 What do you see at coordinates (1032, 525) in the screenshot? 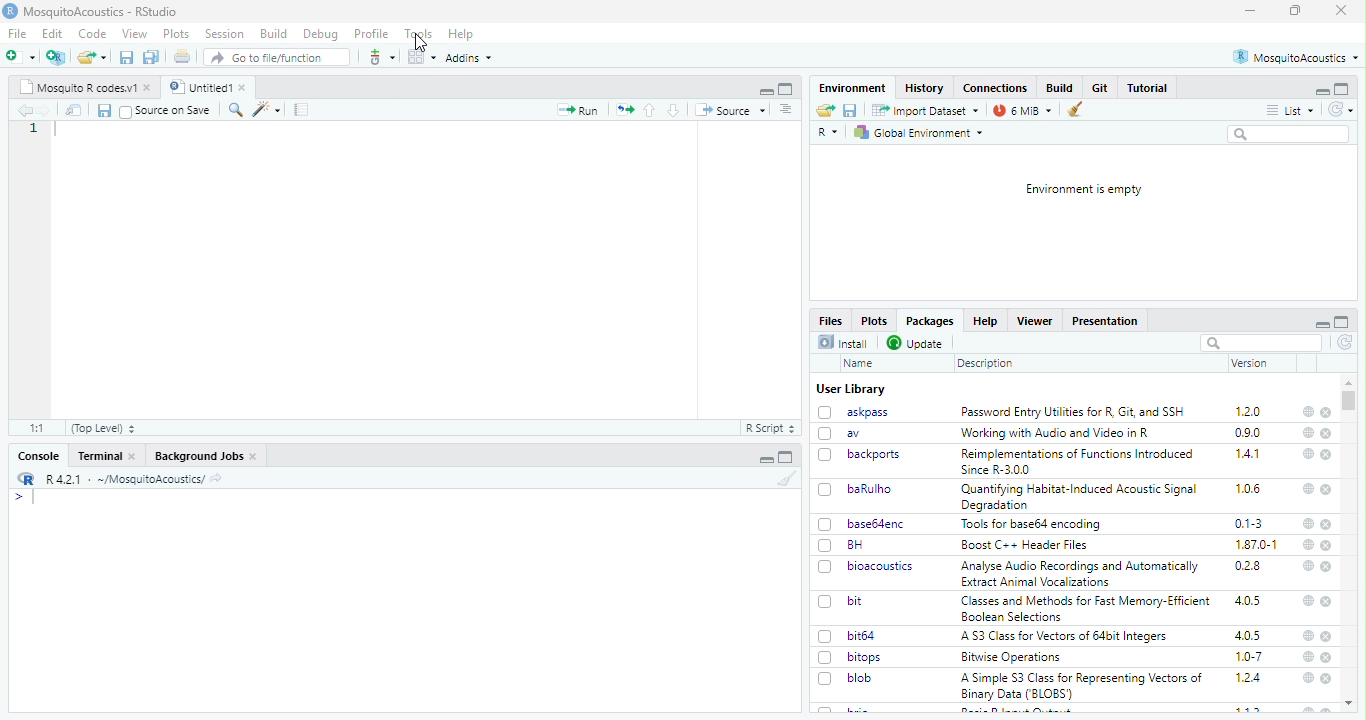
I see `Tools for base64 encoding` at bounding box center [1032, 525].